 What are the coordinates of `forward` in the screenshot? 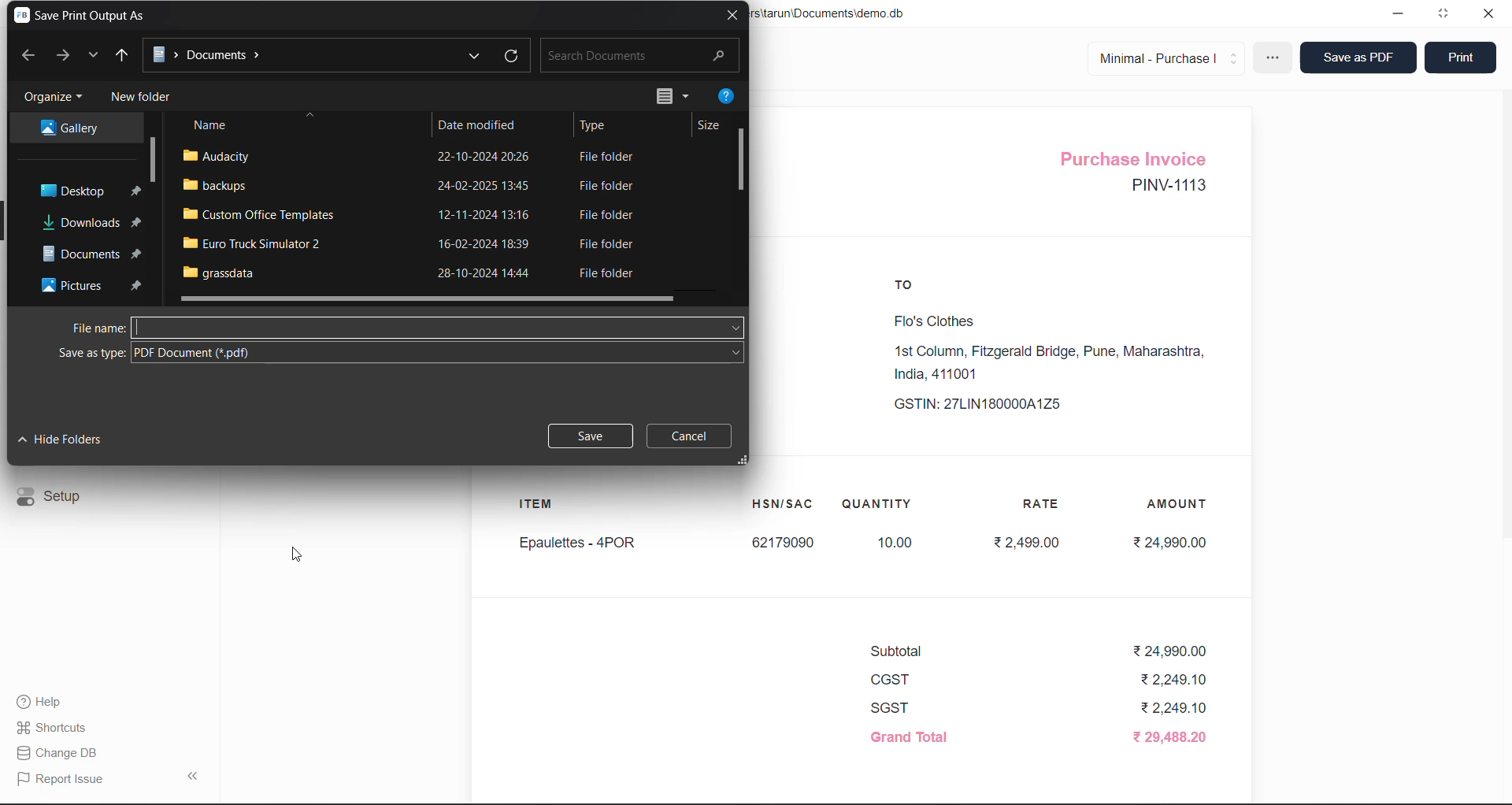 It's located at (64, 54).